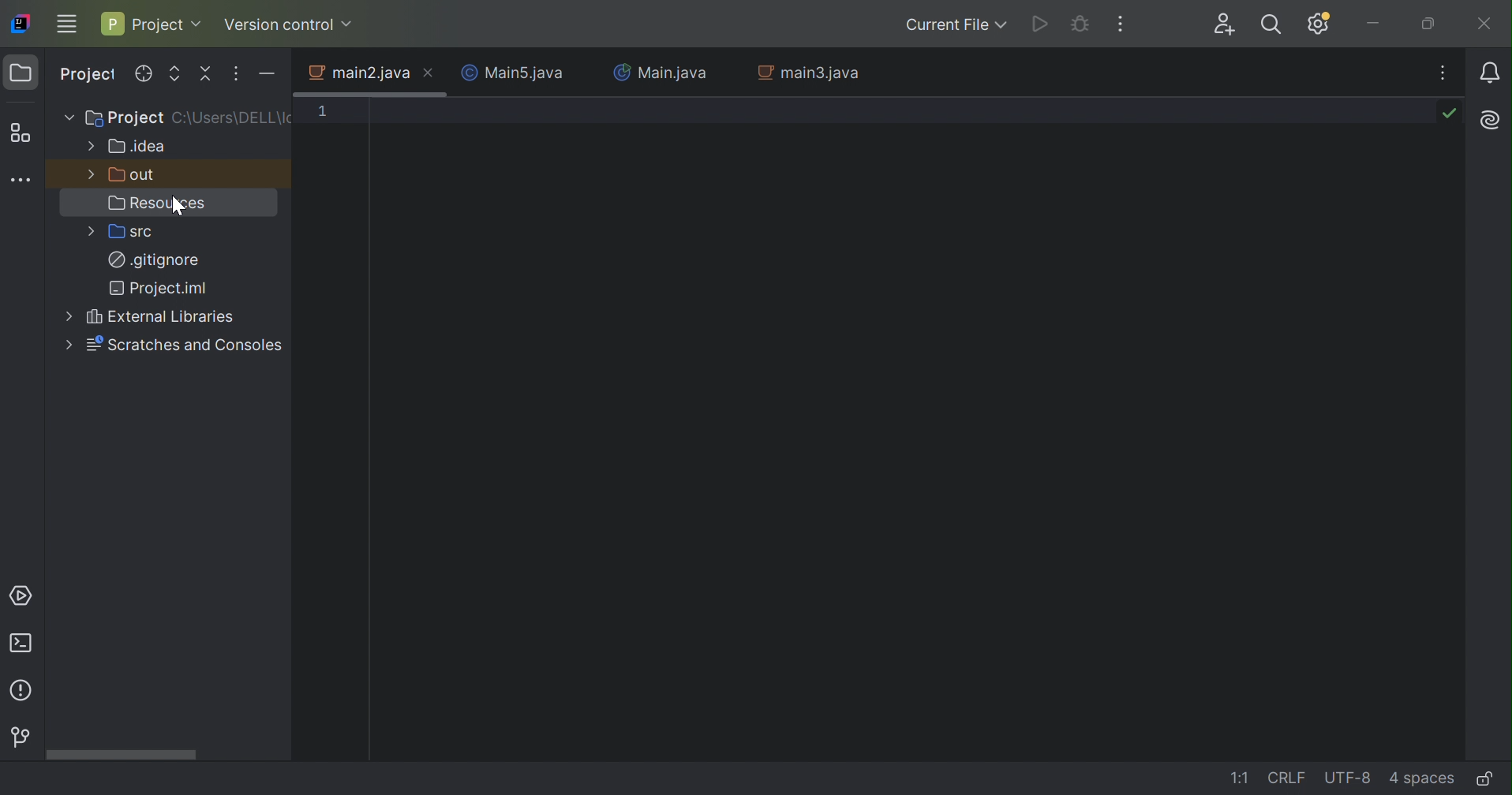  What do you see at coordinates (162, 318) in the screenshot?
I see `External Libraries` at bounding box center [162, 318].